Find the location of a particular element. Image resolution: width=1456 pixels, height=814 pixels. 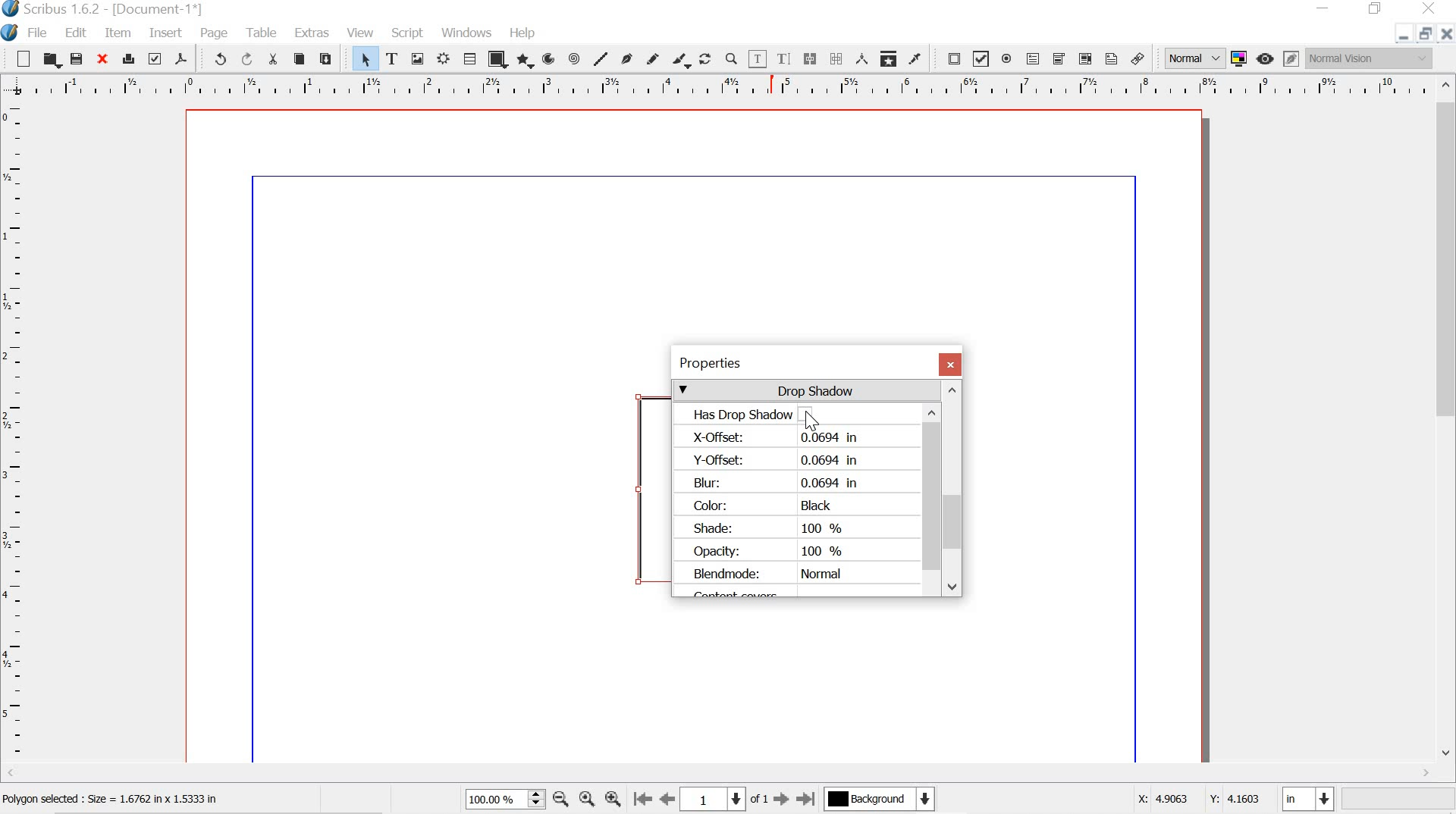

open is located at coordinates (52, 60).